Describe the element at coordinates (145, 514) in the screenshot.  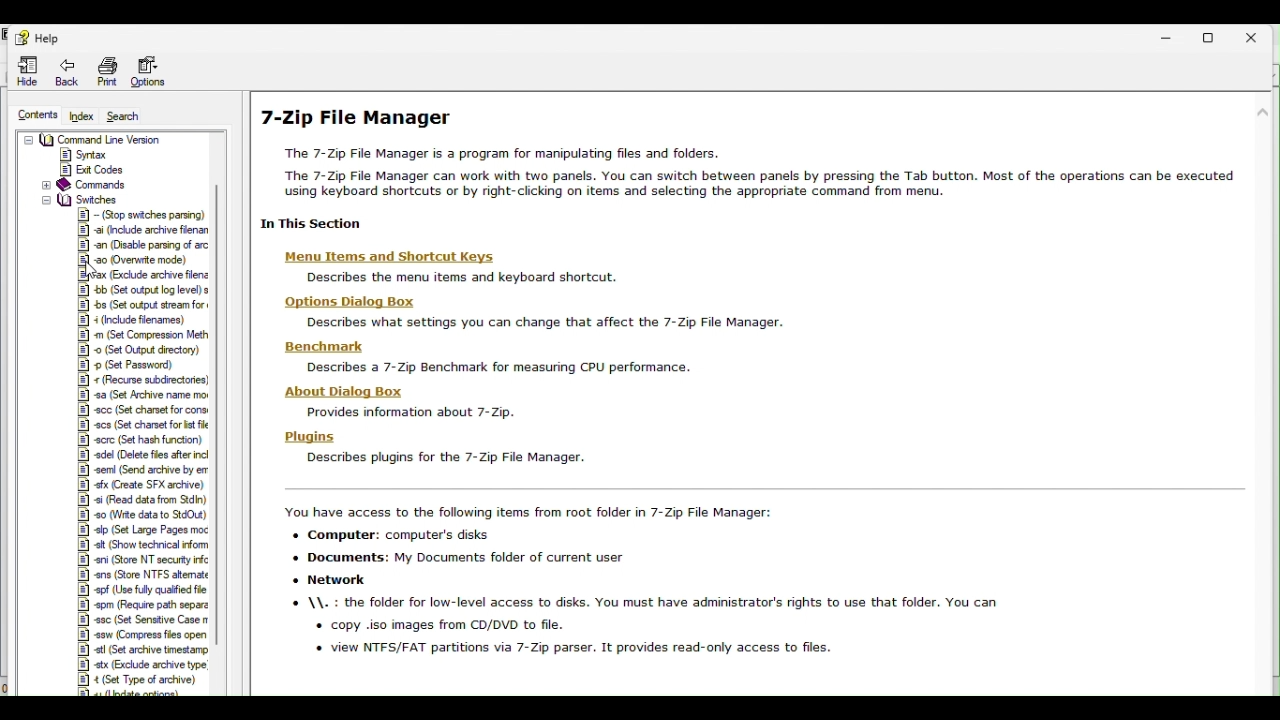
I see `|#] 90 Write data to StdOut) |` at that location.